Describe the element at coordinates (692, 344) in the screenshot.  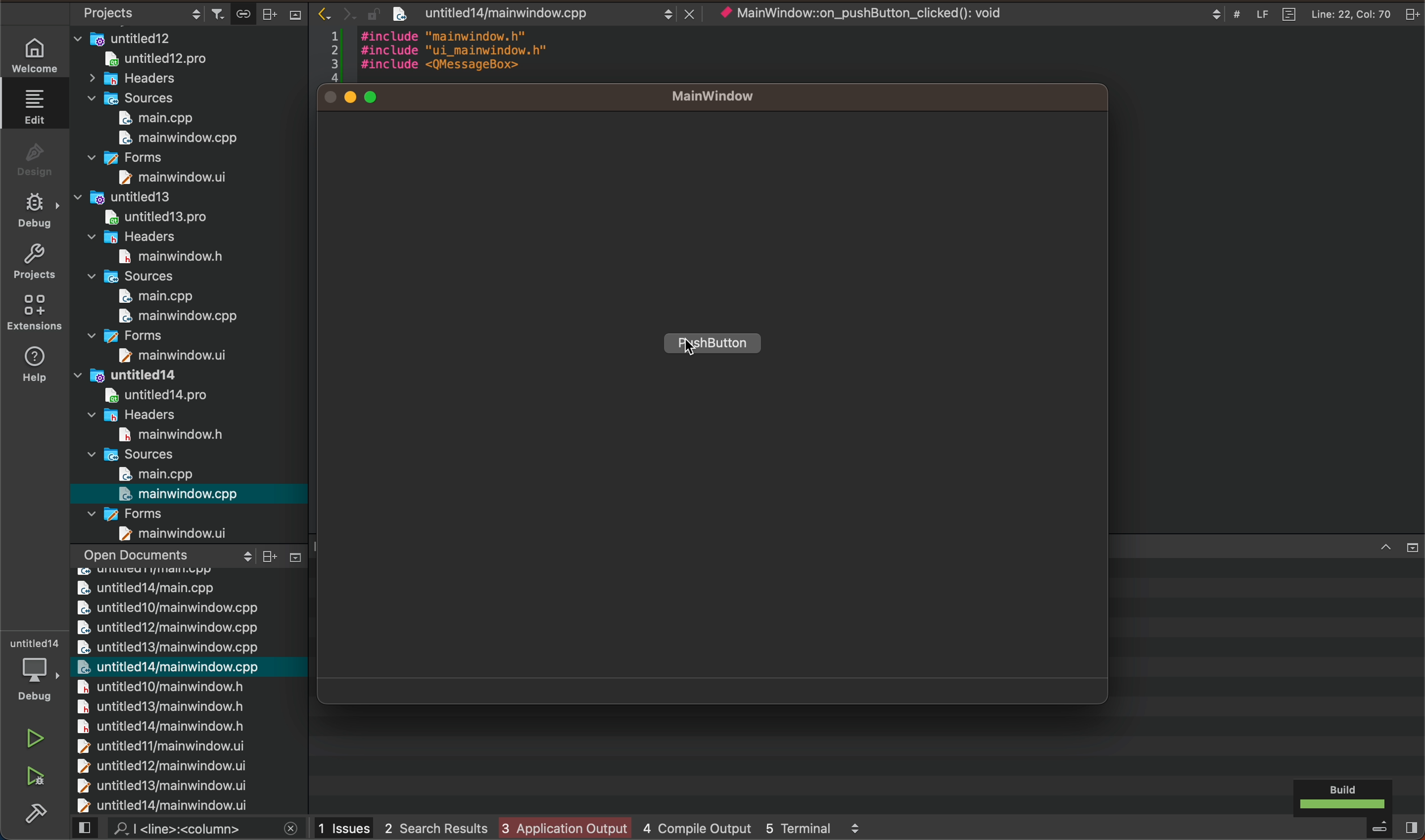
I see `cursor` at that location.